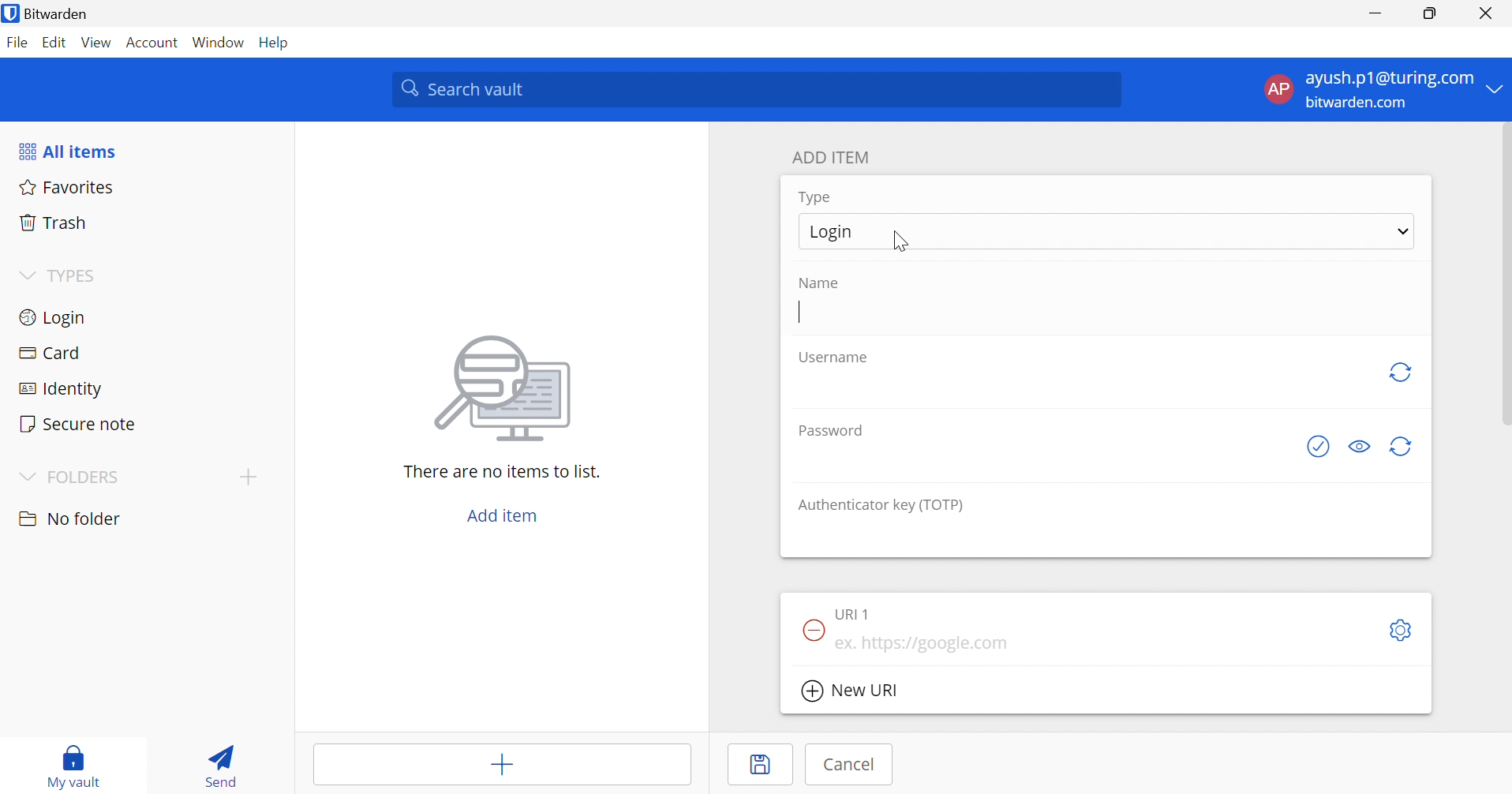 This screenshot has height=794, width=1512. I want to click on Add item, so click(500, 767).